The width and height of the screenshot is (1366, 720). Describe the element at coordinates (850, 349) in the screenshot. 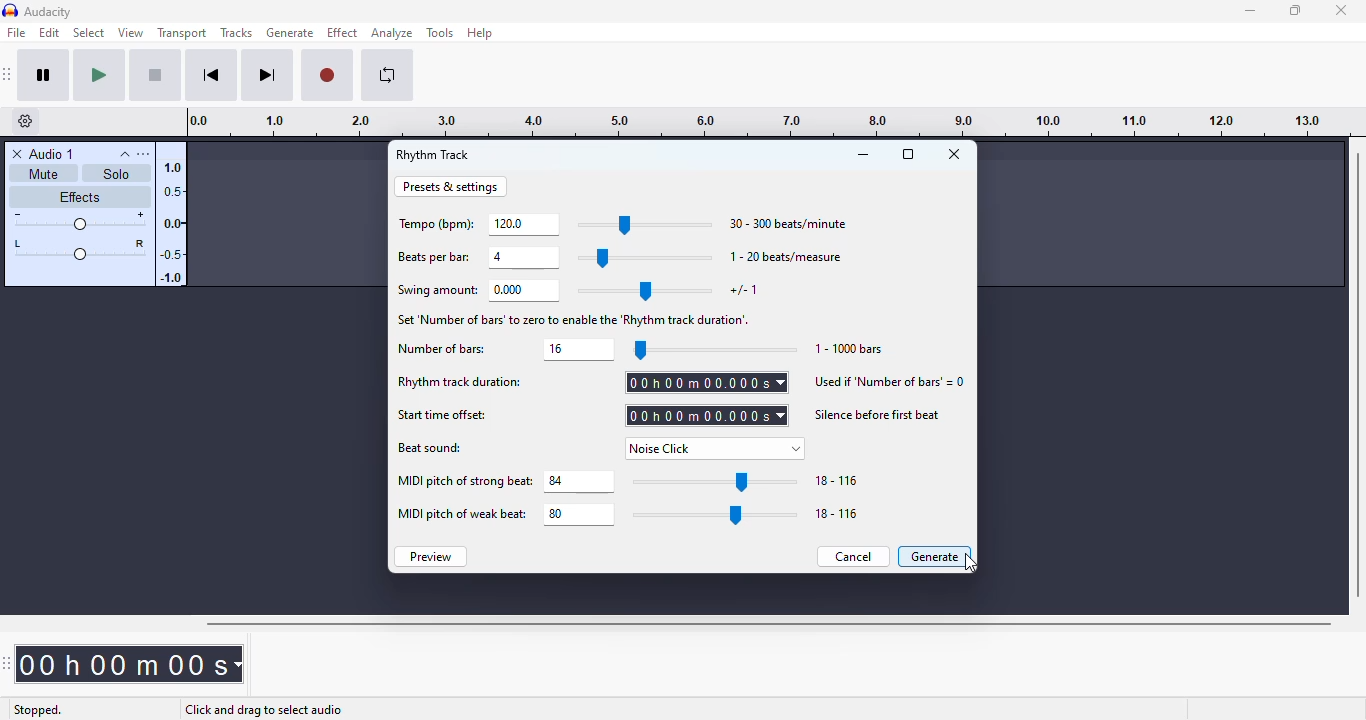

I see `1-1000 bars` at that location.